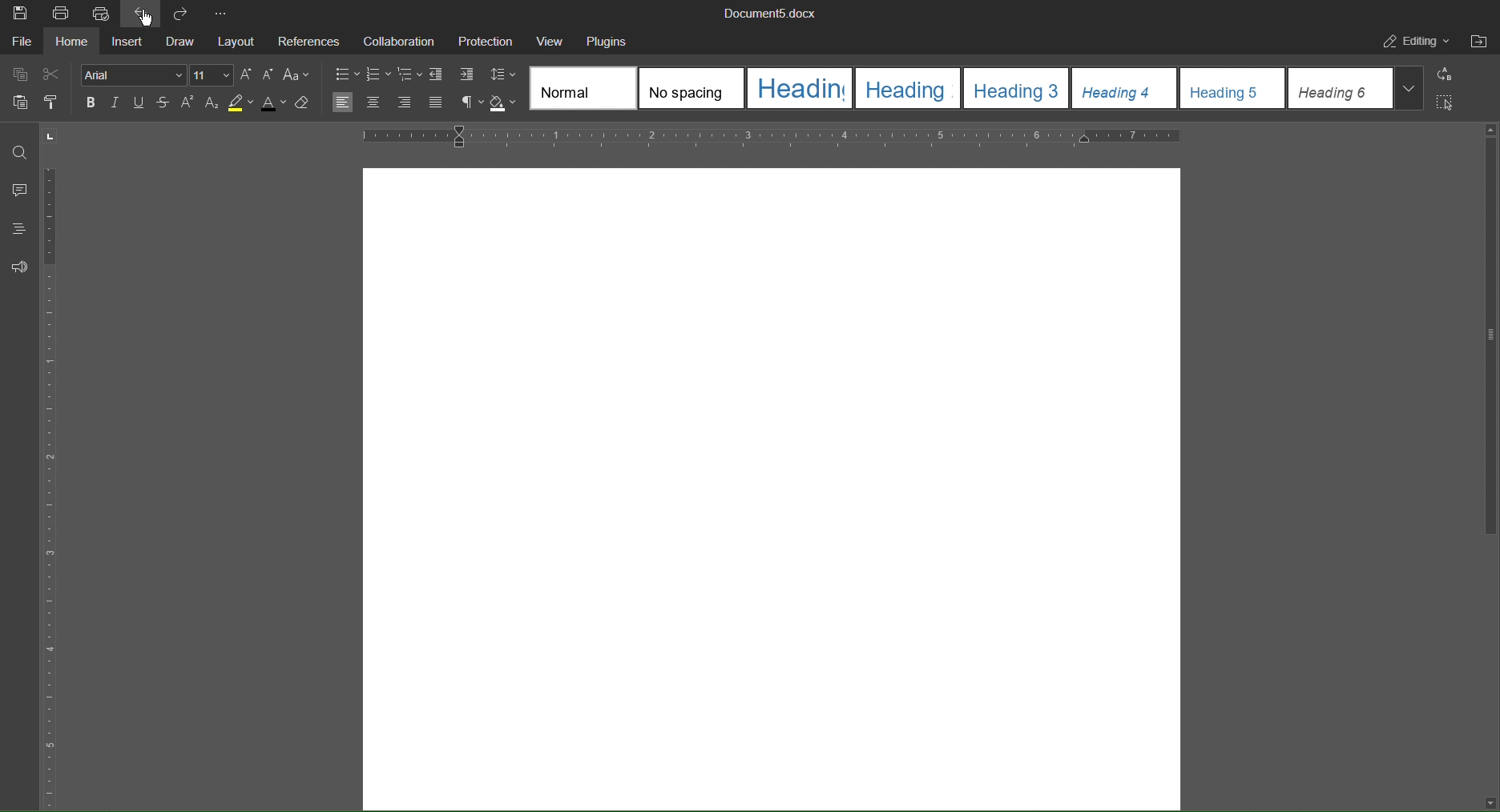 Image resolution: width=1500 pixels, height=812 pixels. Describe the element at coordinates (181, 12) in the screenshot. I see `Redo` at that location.